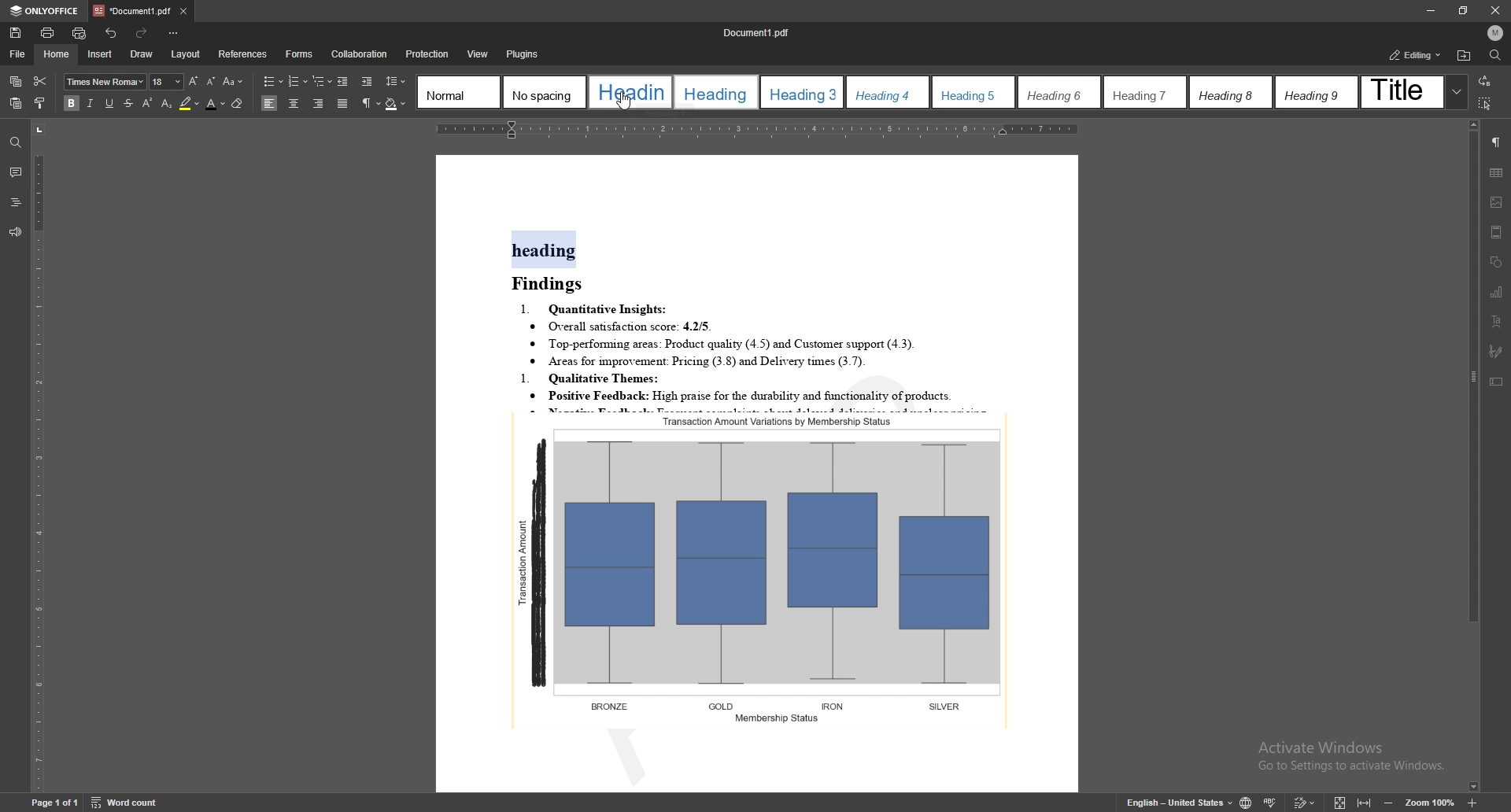  Describe the element at coordinates (40, 79) in the screenshot. I see `cut` at that location.